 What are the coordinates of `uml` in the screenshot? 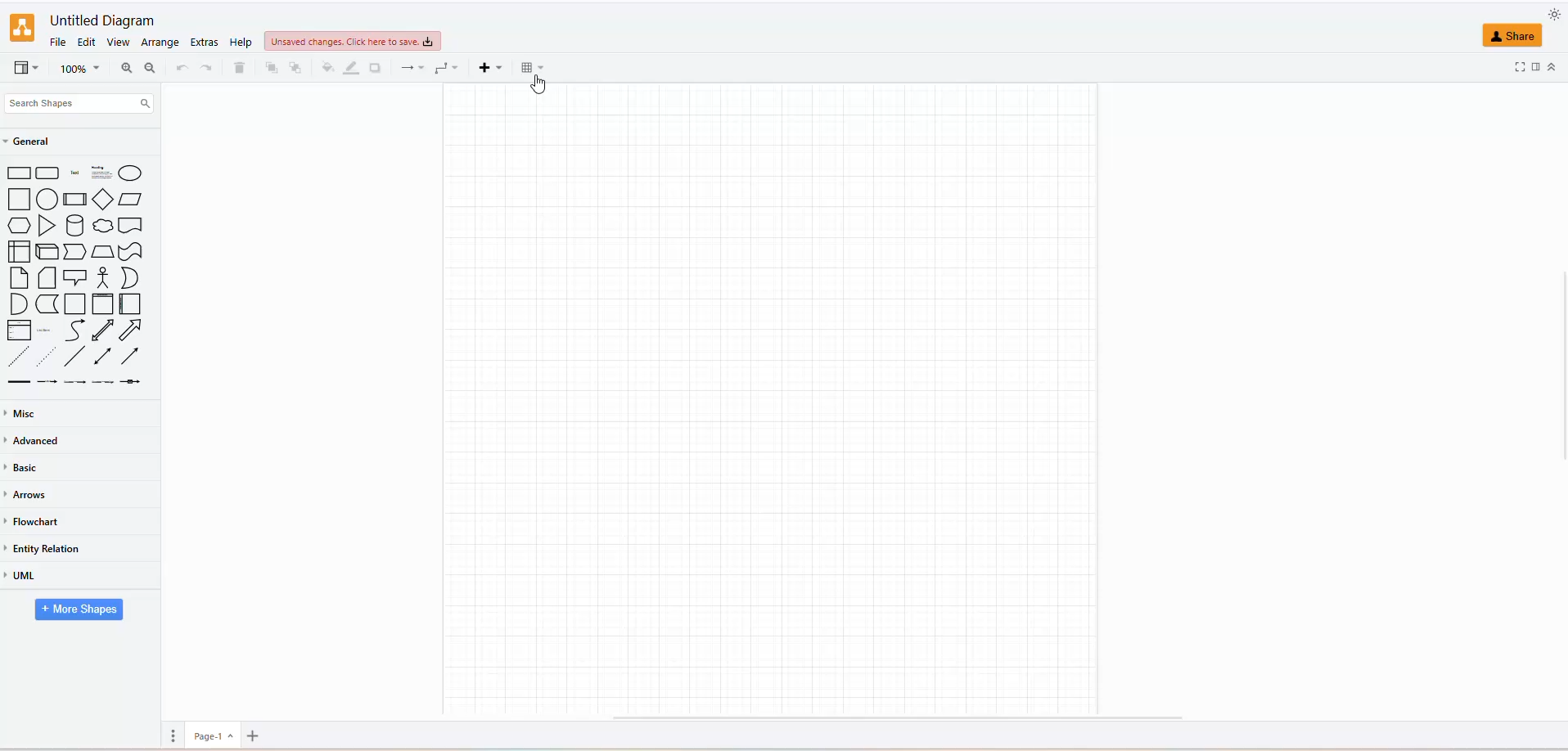 It's located at (25, 579).